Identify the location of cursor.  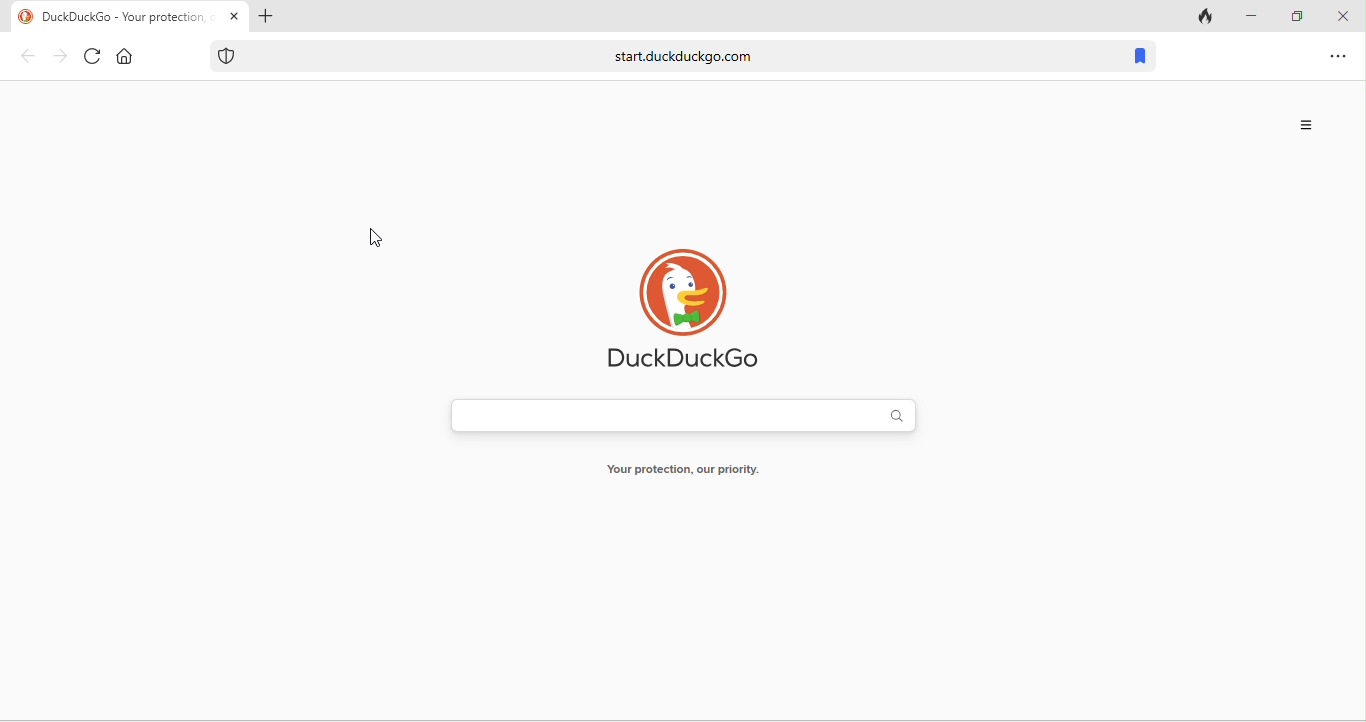
(376, 240).